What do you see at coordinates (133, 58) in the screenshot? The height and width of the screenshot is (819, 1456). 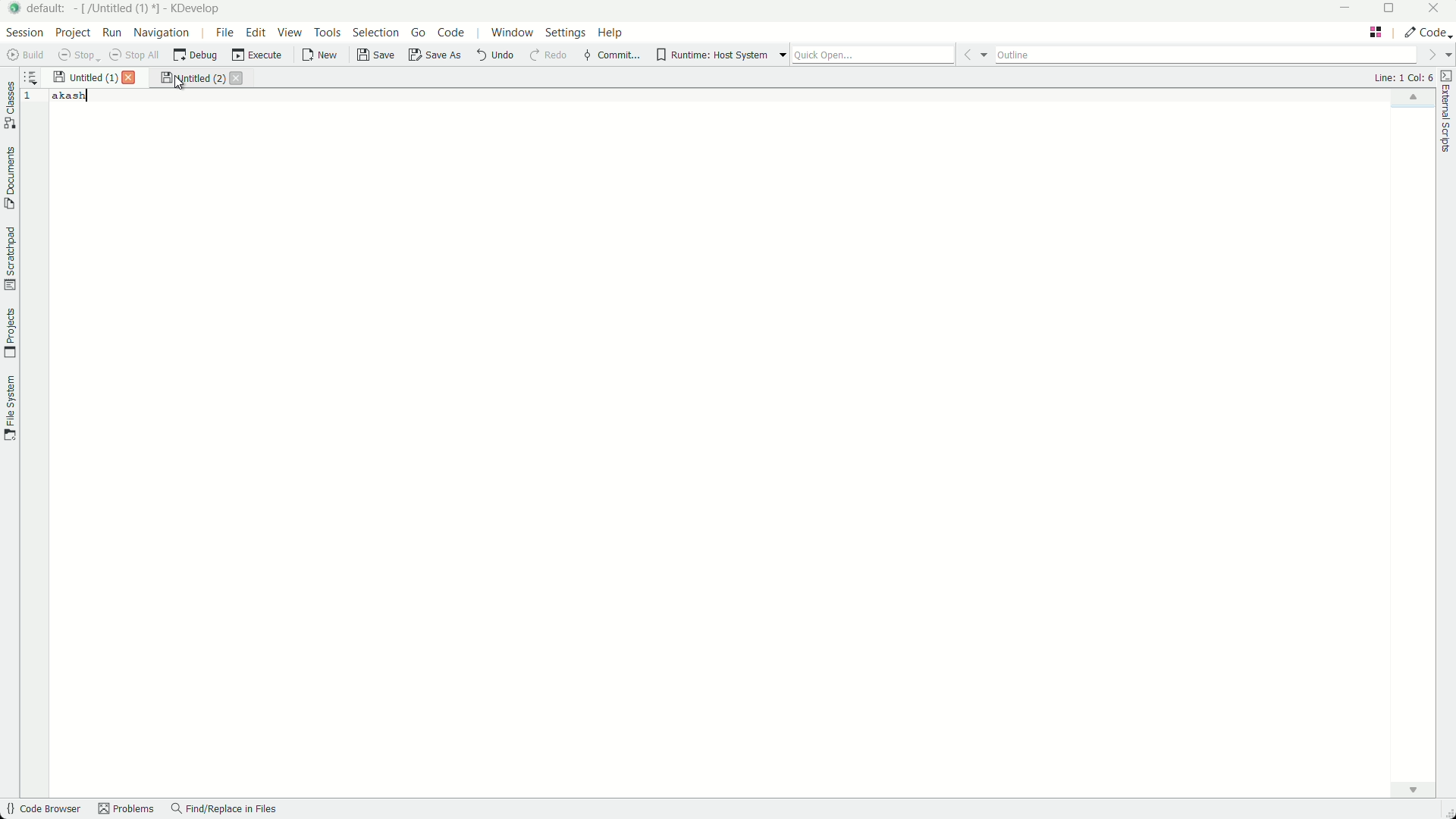 I see `stop all` at bounding box center [133, 58].